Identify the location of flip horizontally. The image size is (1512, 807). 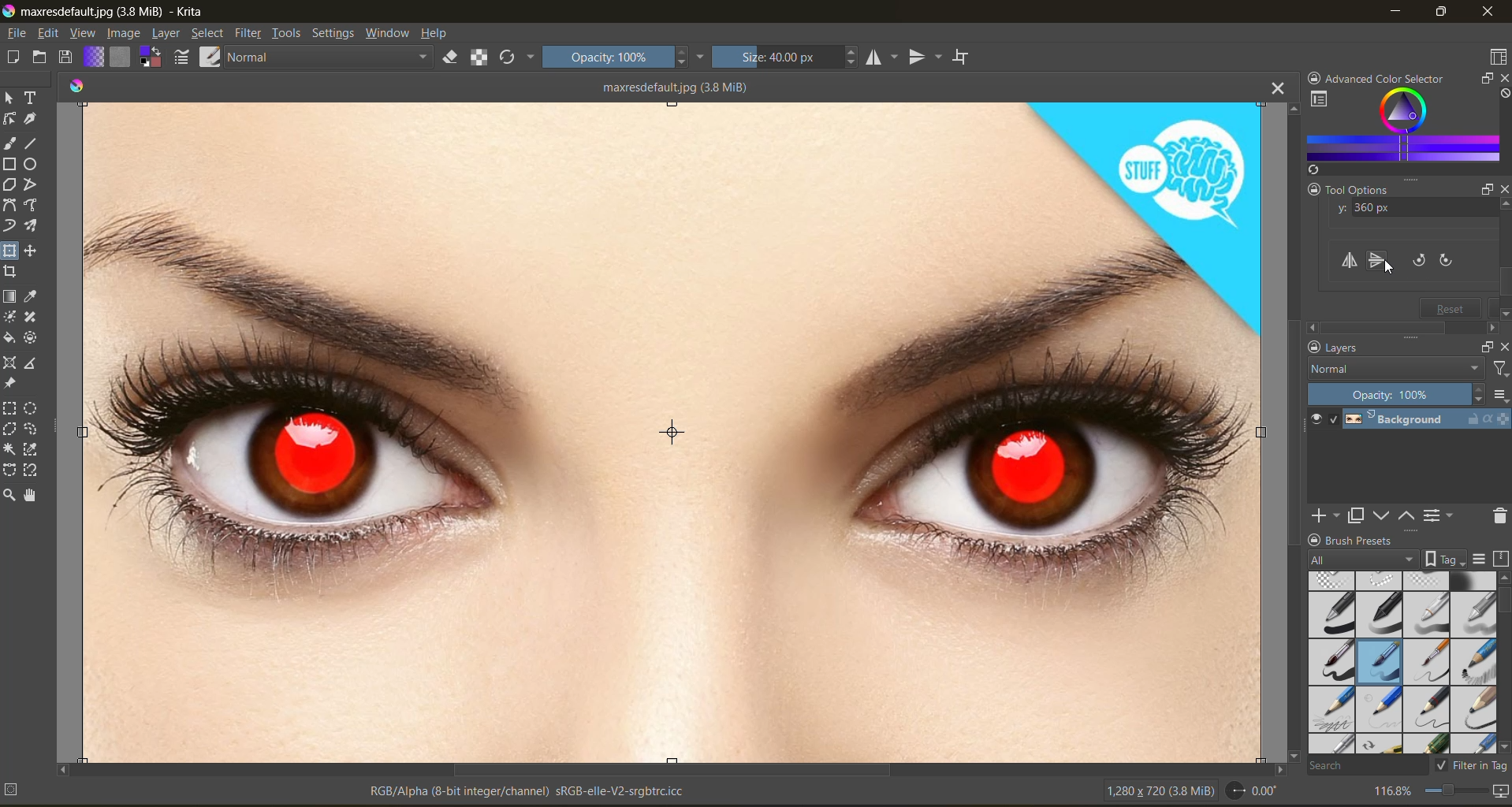
(1349, 261).